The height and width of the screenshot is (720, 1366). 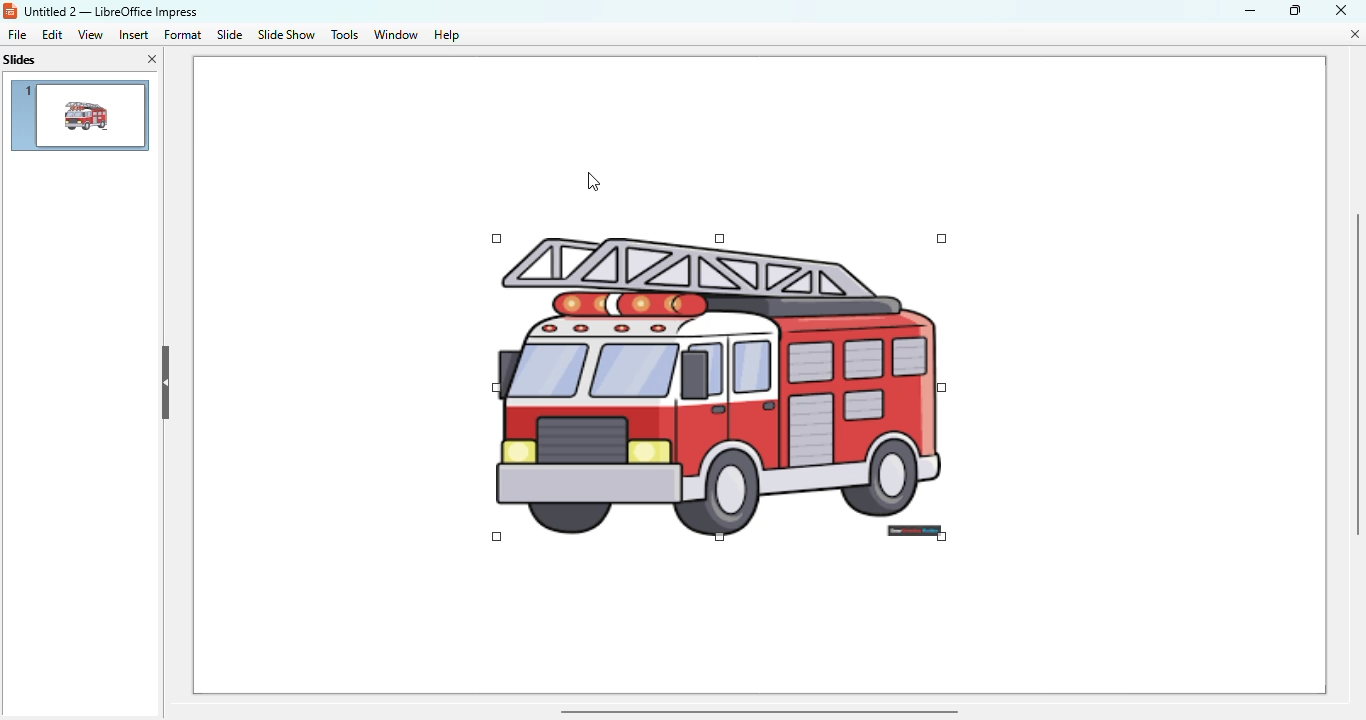 What do you see at coordinates (759, 712) in the screenshot?
I see `horizontal scroll bar` at bounding box center [759, 712].